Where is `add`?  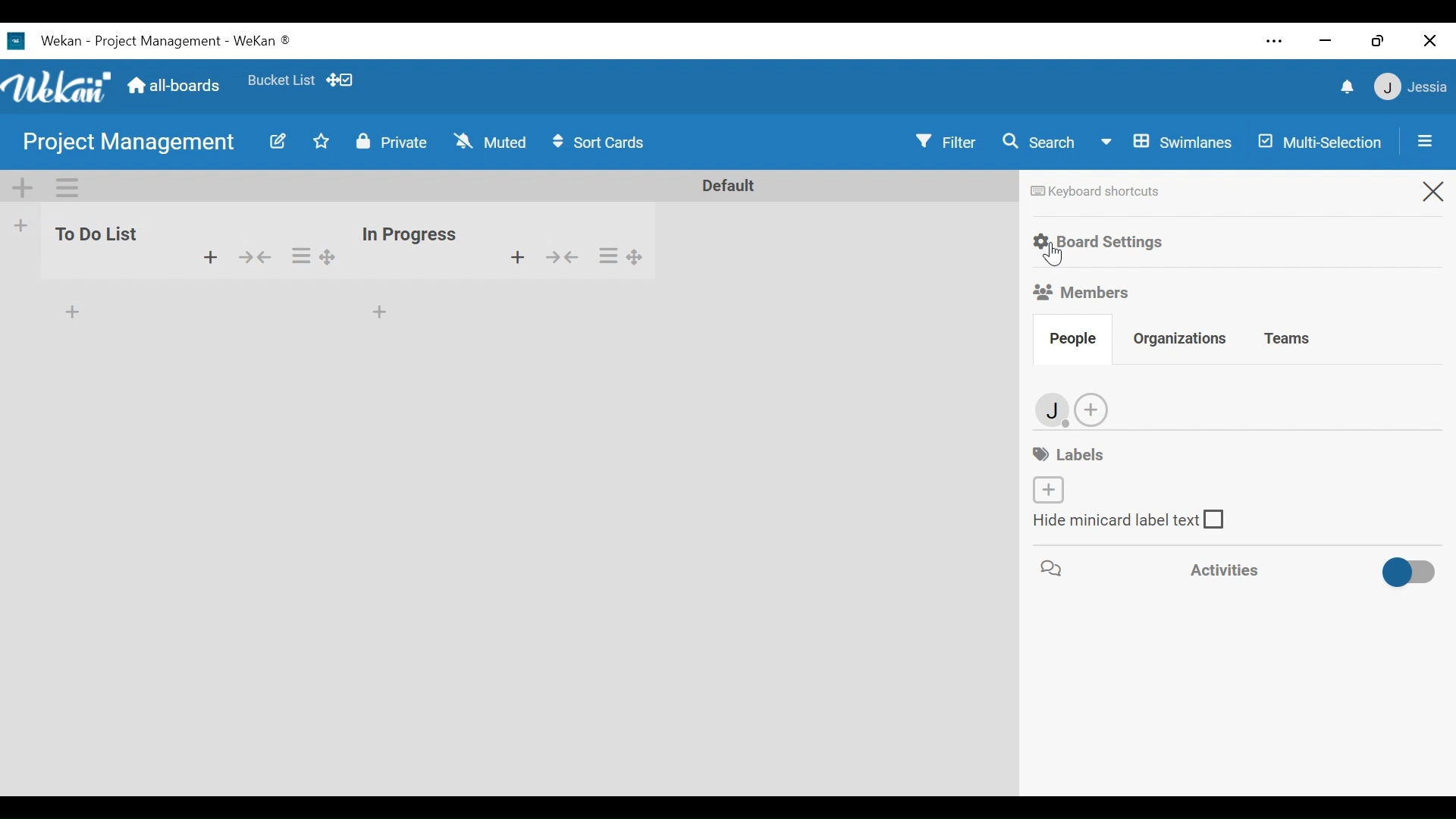 add is located at coordinates (66, 309).